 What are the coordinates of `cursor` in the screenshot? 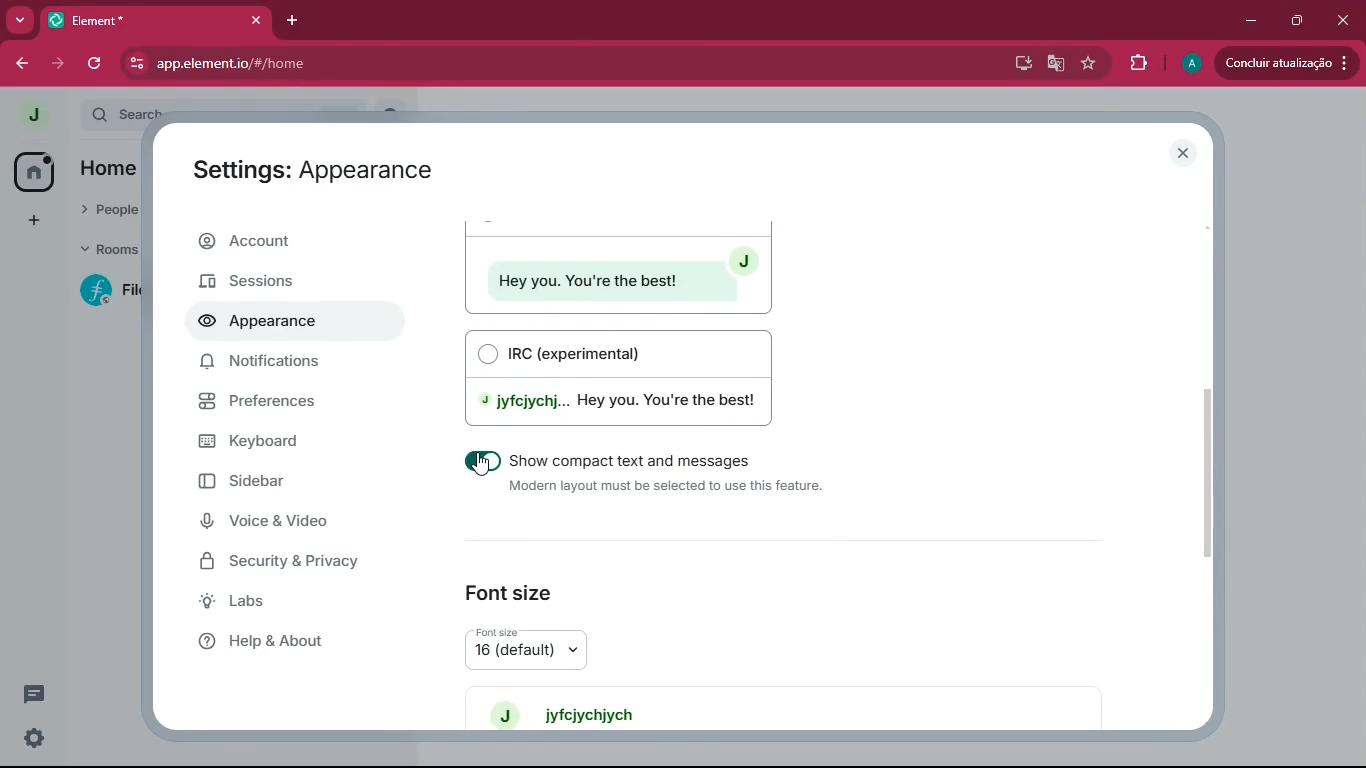 It's located at (480, 468).